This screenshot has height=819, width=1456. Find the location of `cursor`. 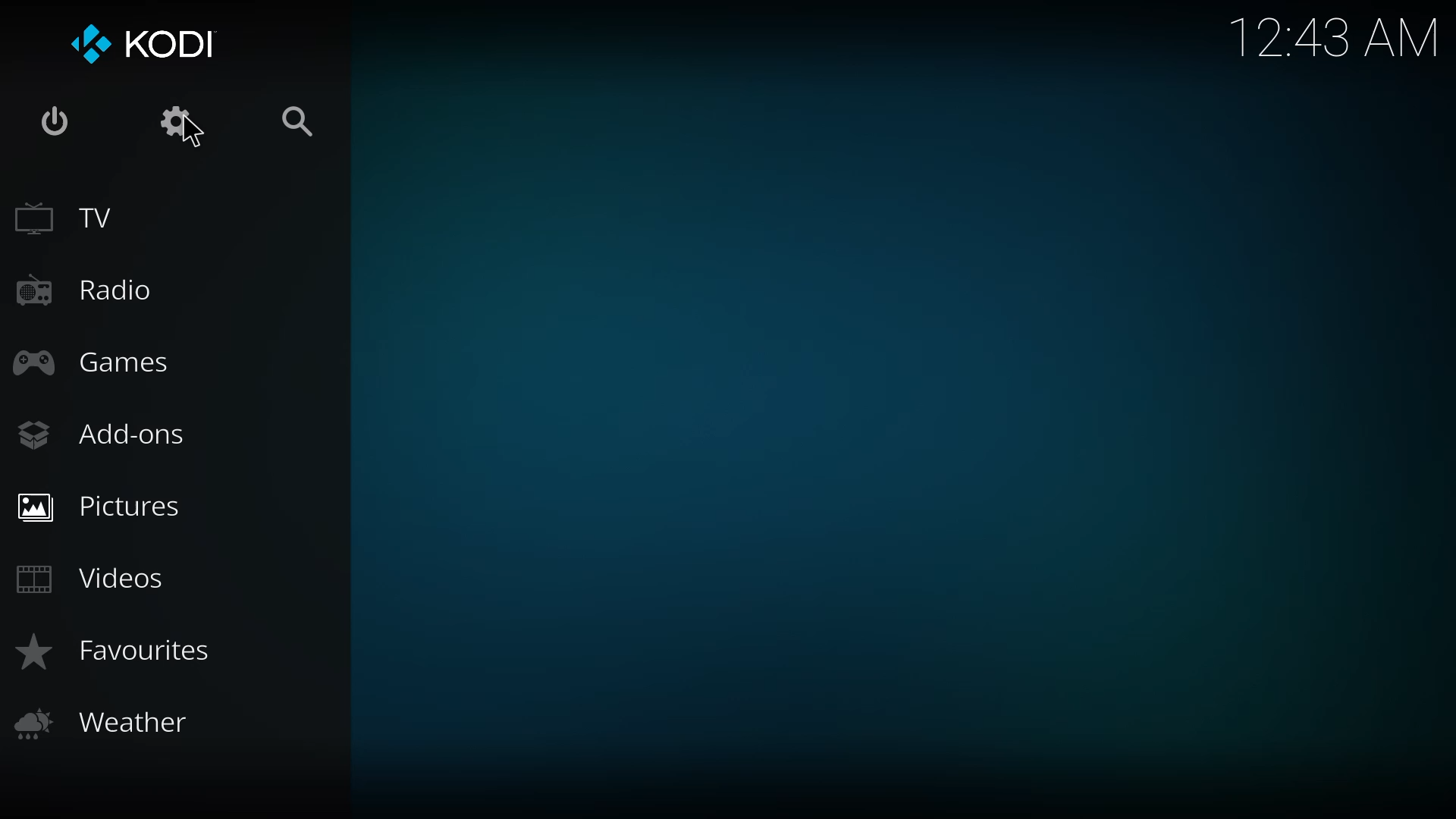

cursor is located at coordinates (193, 132).